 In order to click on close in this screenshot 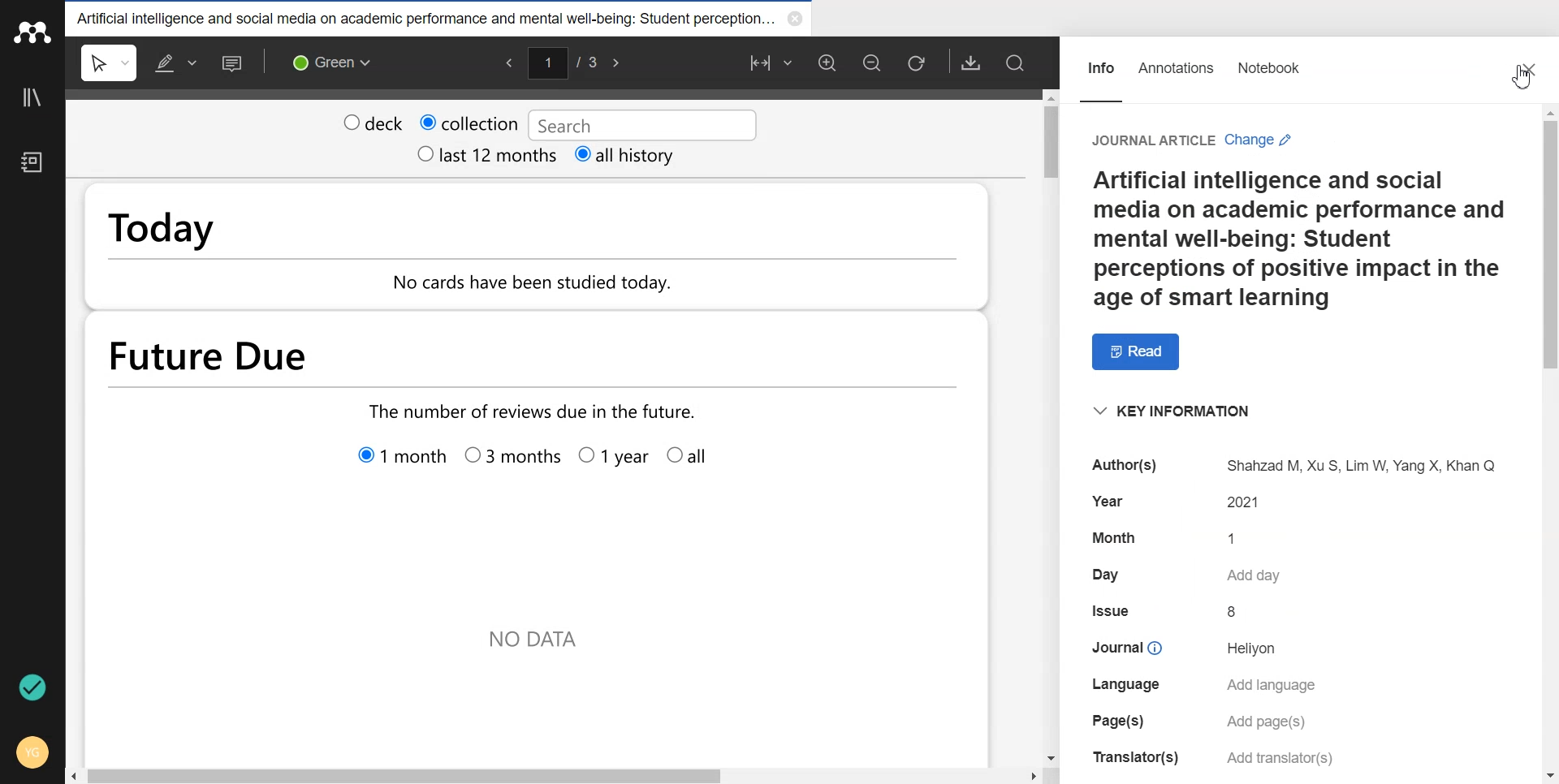, I will do `click(799, 19)`.